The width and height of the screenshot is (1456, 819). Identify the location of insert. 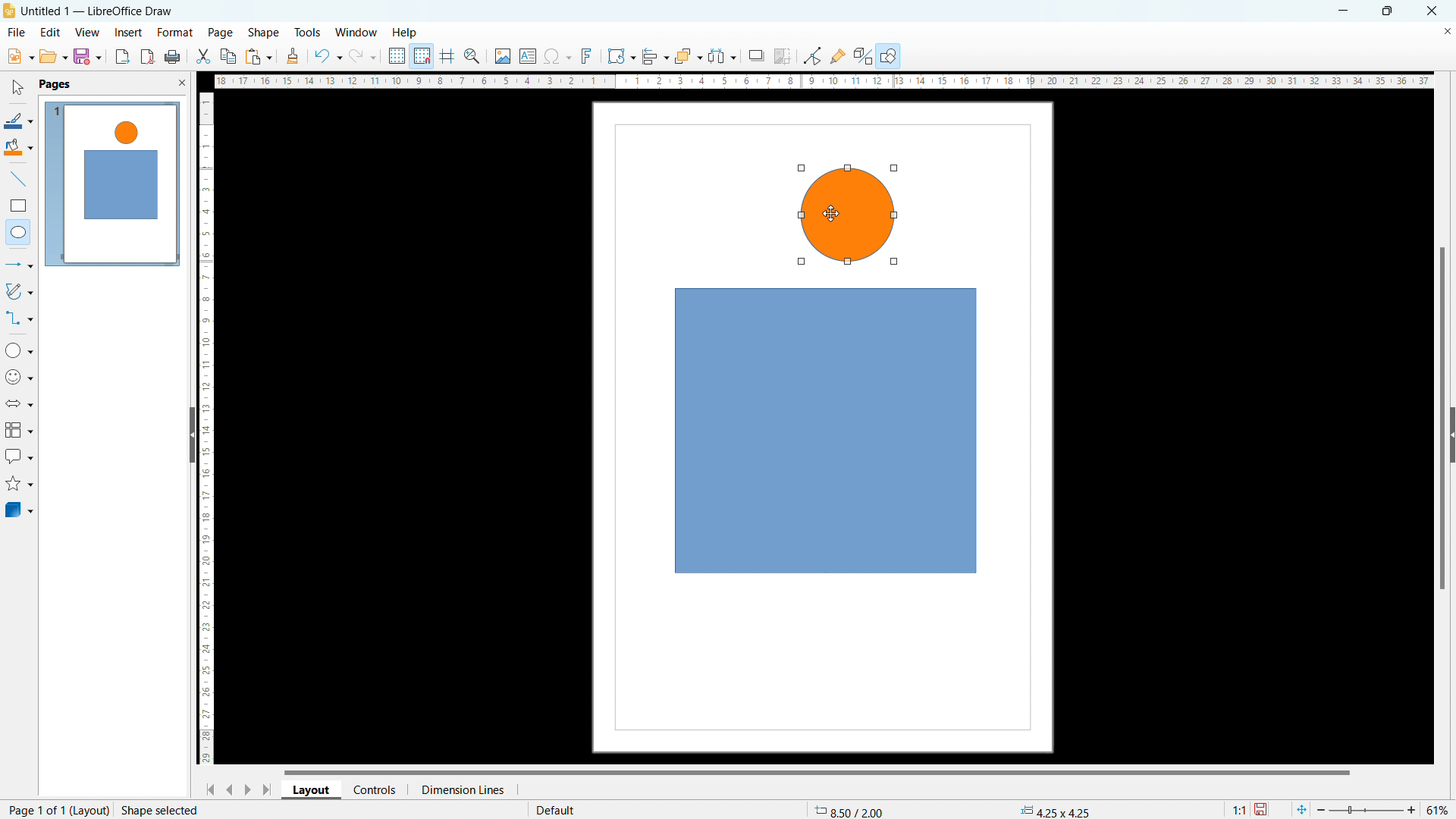
(129, 33).